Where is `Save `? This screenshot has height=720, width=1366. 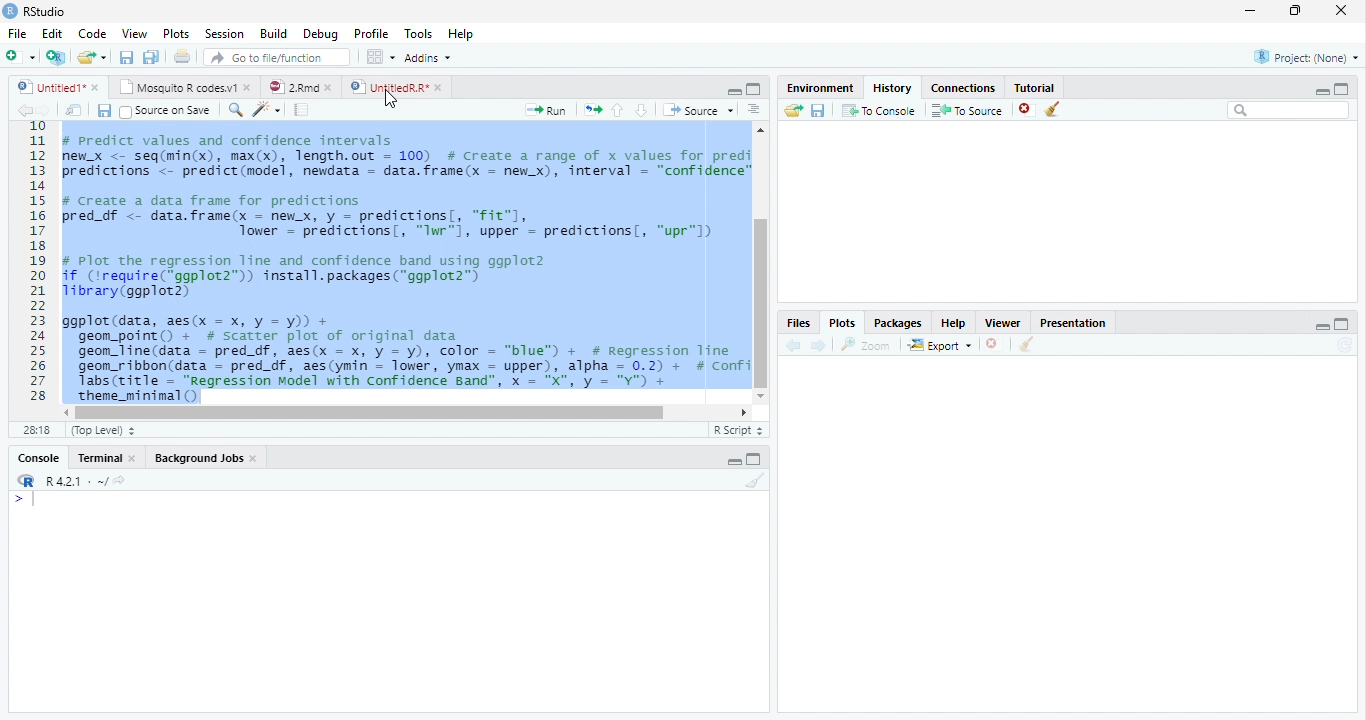 Save  is located at coordinates (130, 59).